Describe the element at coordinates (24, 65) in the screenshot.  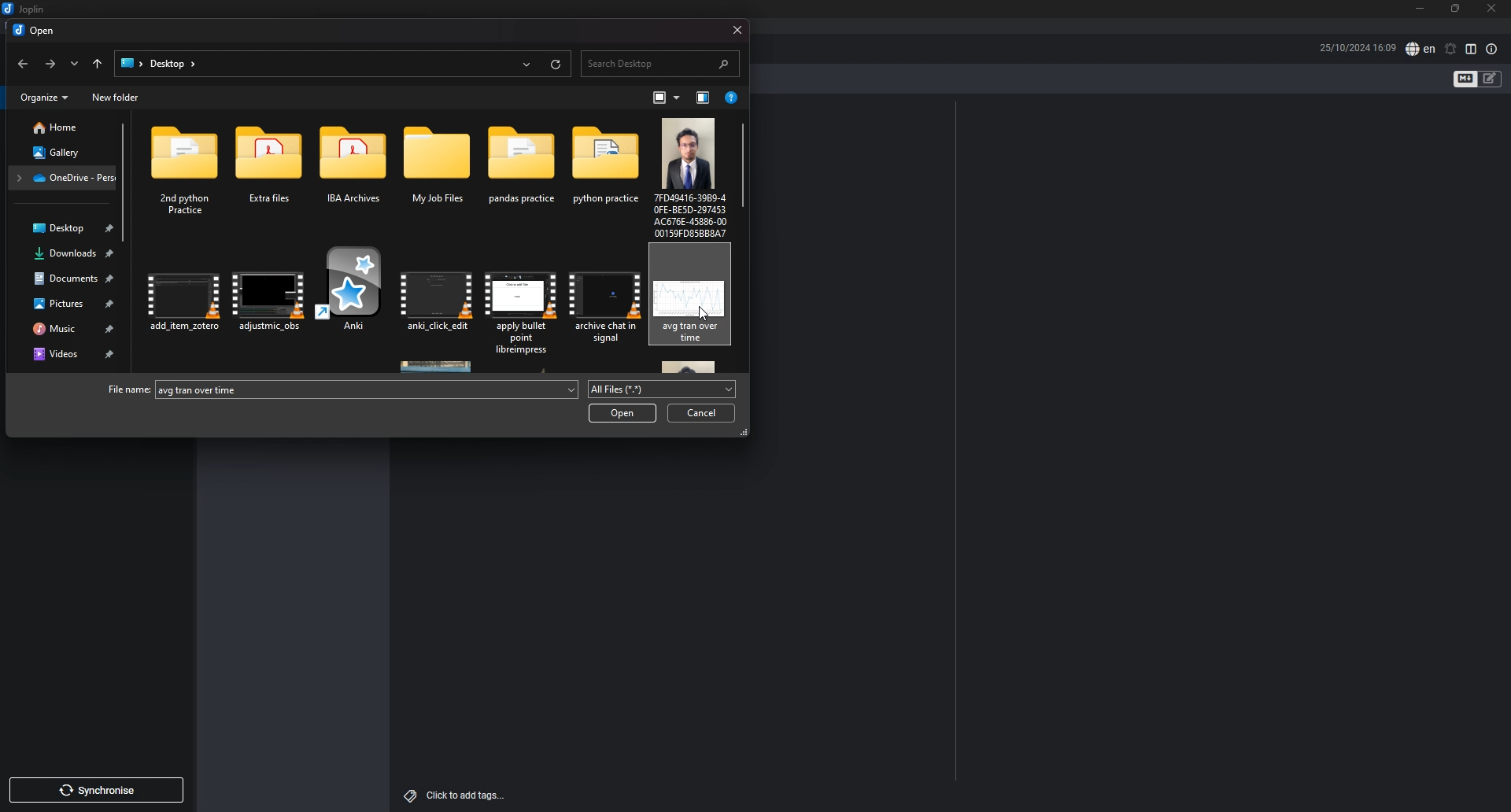
I see `back` at that location.